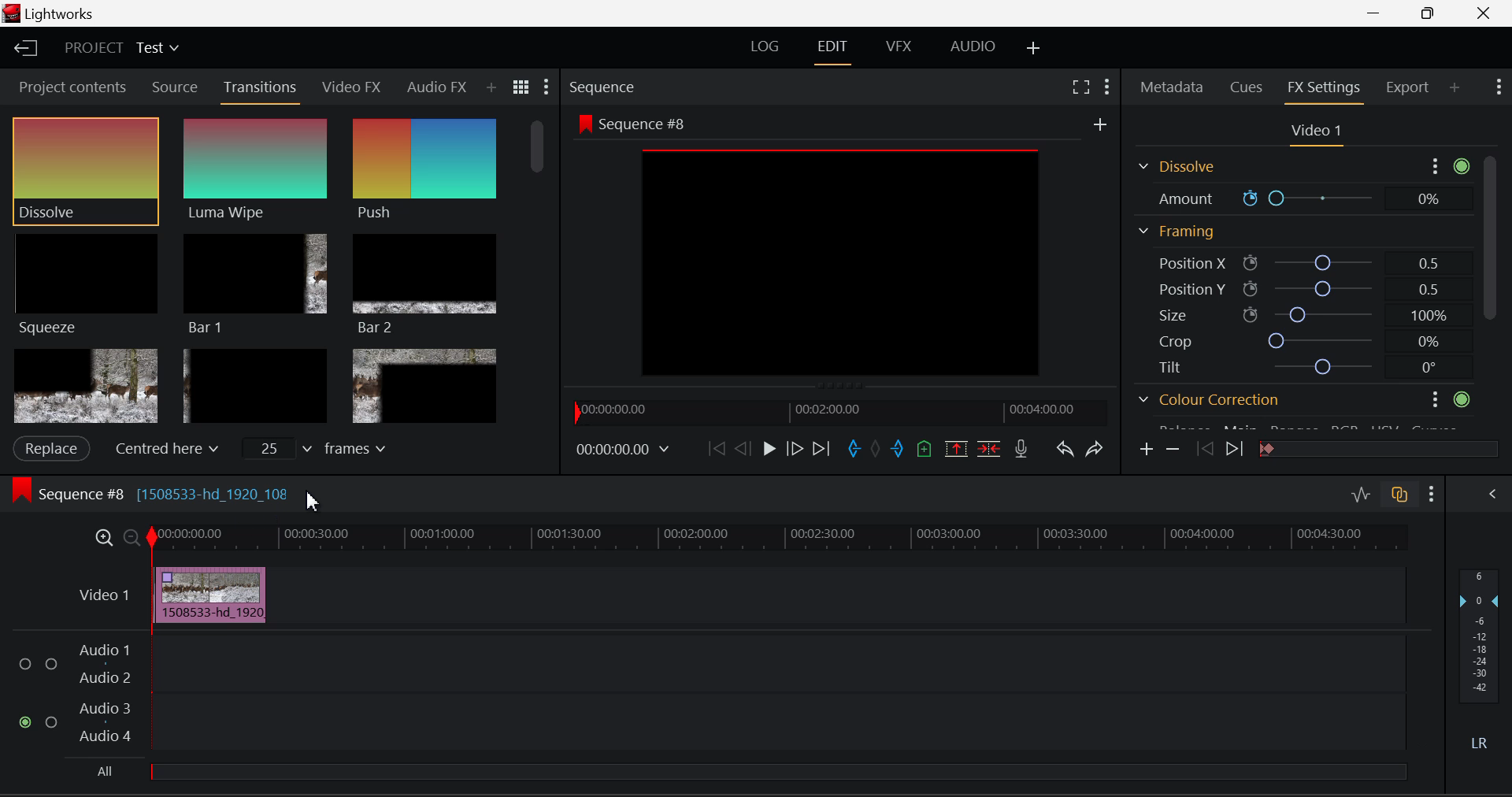  Describe the element at coordinates (898, 449) in the screenshot. I see `Mark Out` at that location.